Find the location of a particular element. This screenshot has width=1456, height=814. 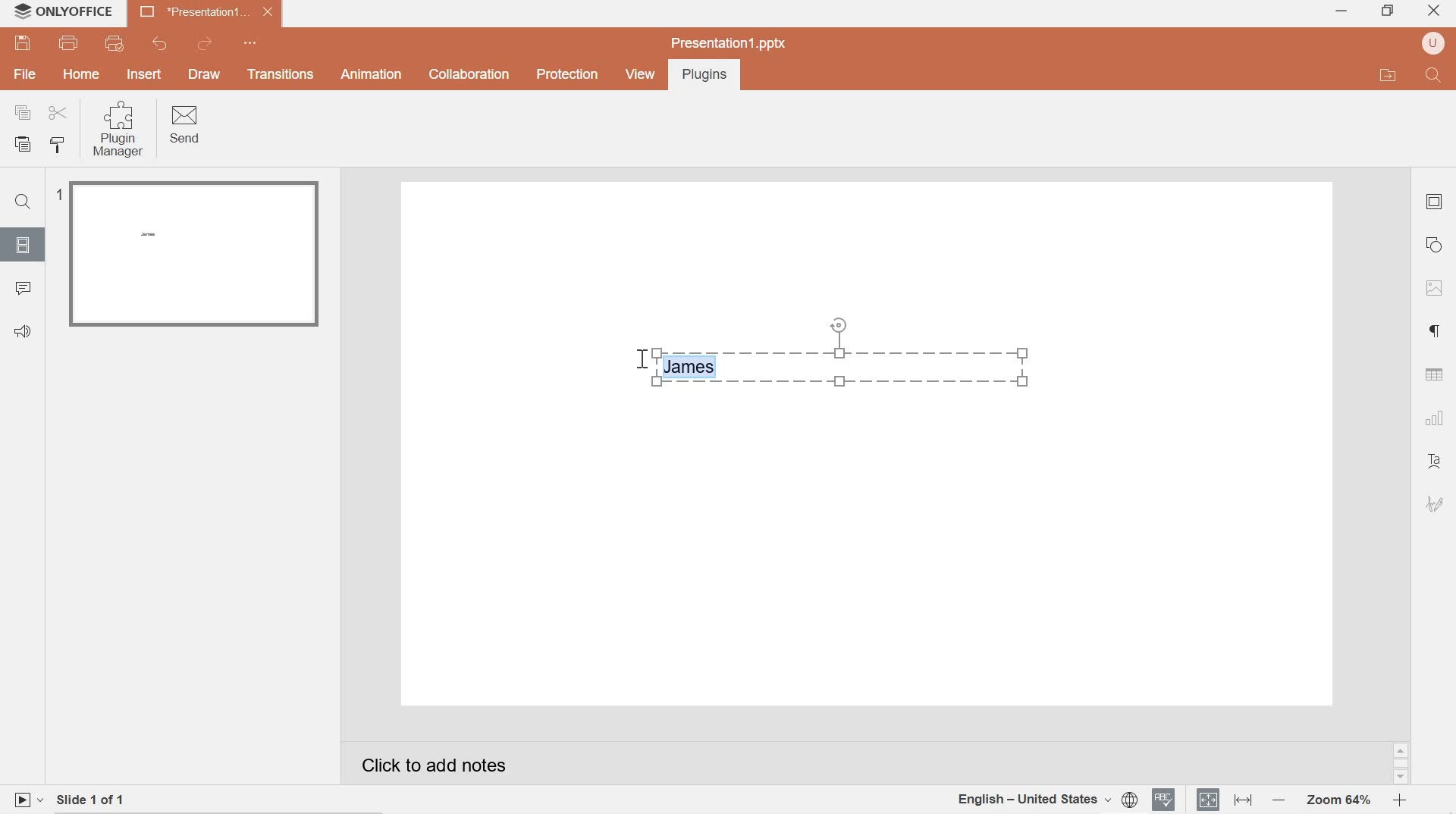

open file application is located at coordinates (1386, 75).